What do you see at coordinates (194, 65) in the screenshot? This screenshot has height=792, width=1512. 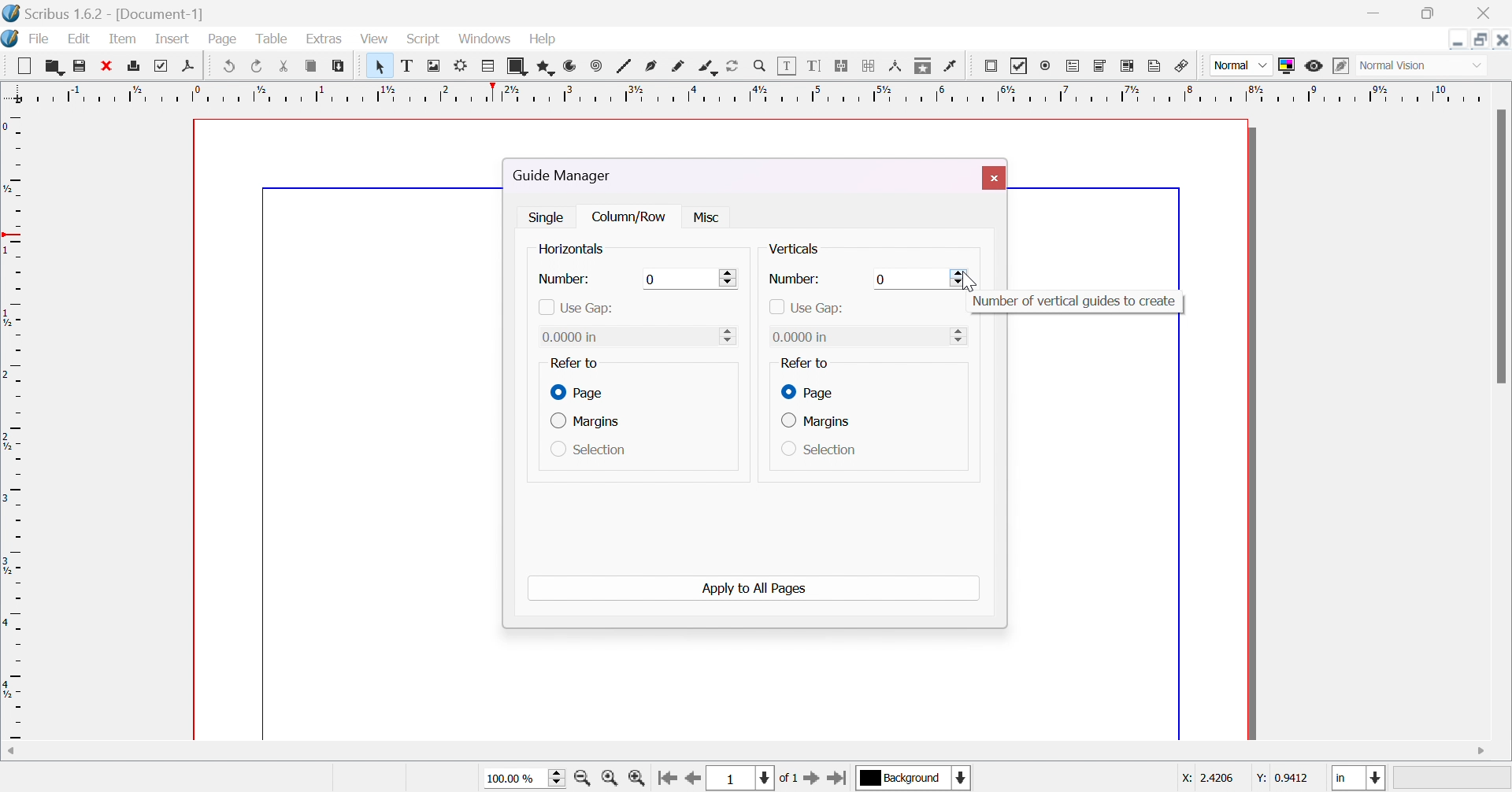 I see `save as pdf` at bounding box center [194, 65].